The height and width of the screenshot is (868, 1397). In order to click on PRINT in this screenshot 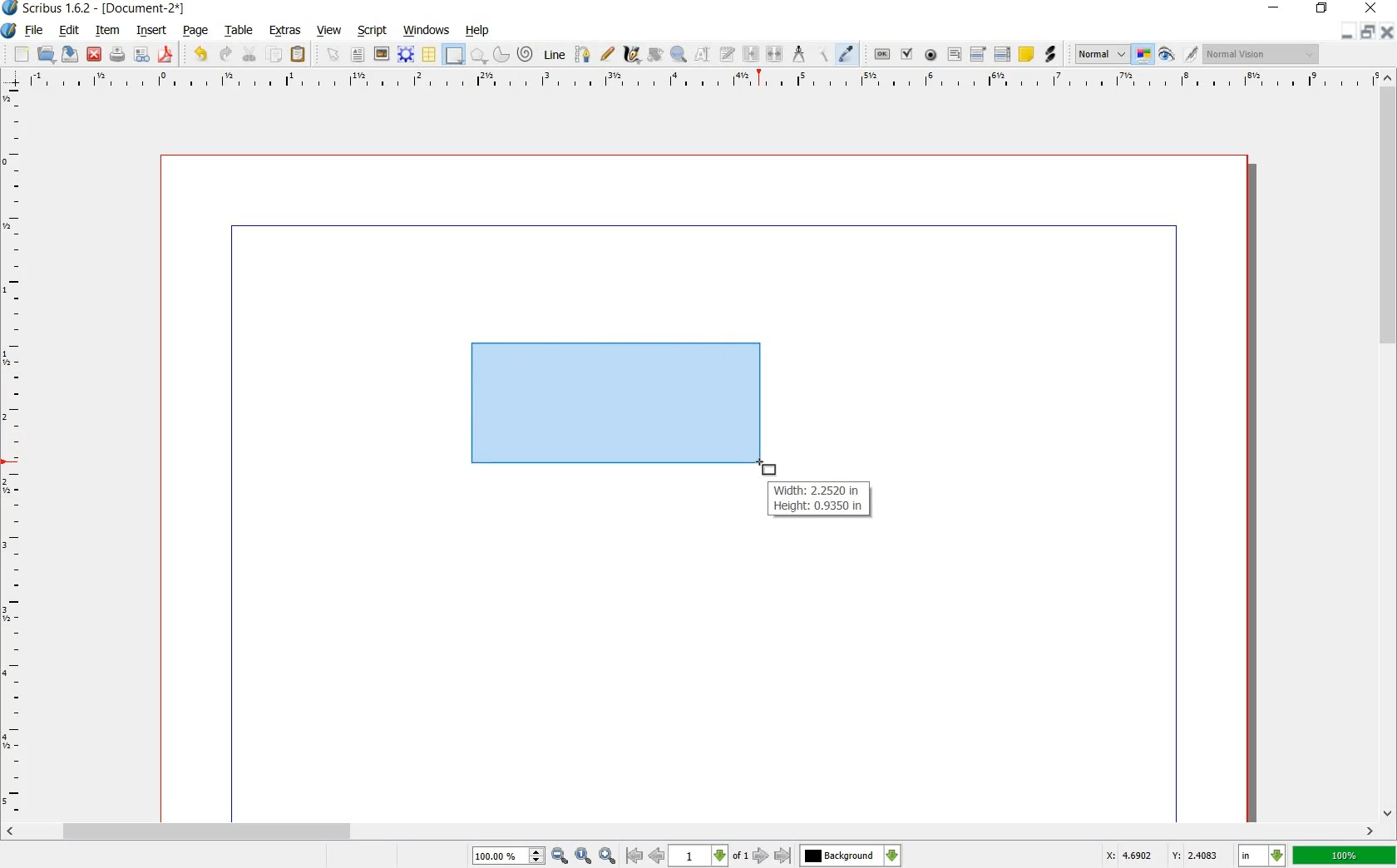, I will do `click(117, 55)`.